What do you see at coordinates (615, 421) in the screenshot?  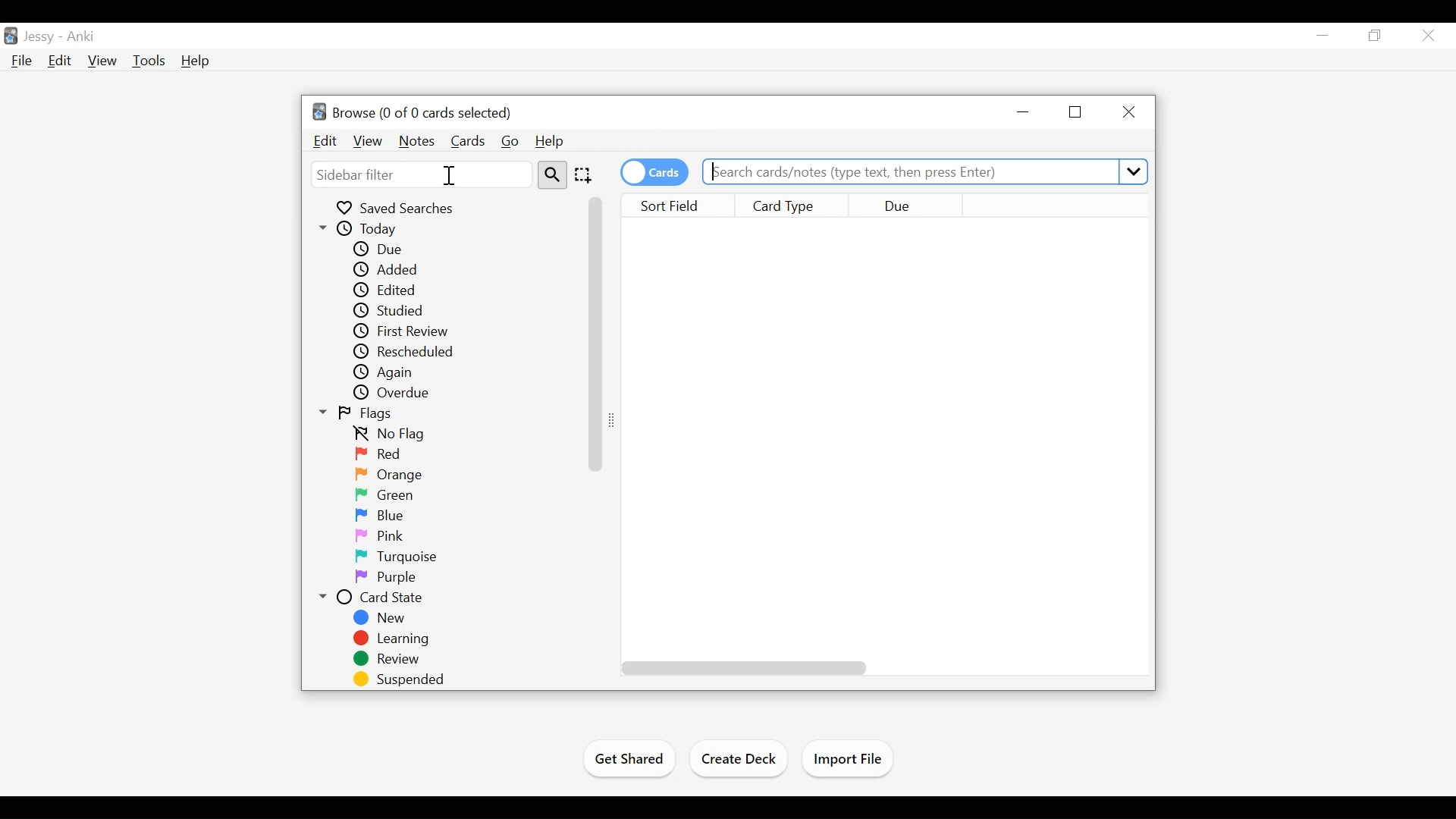 I see `Resize` at bounding box center [615, 421].